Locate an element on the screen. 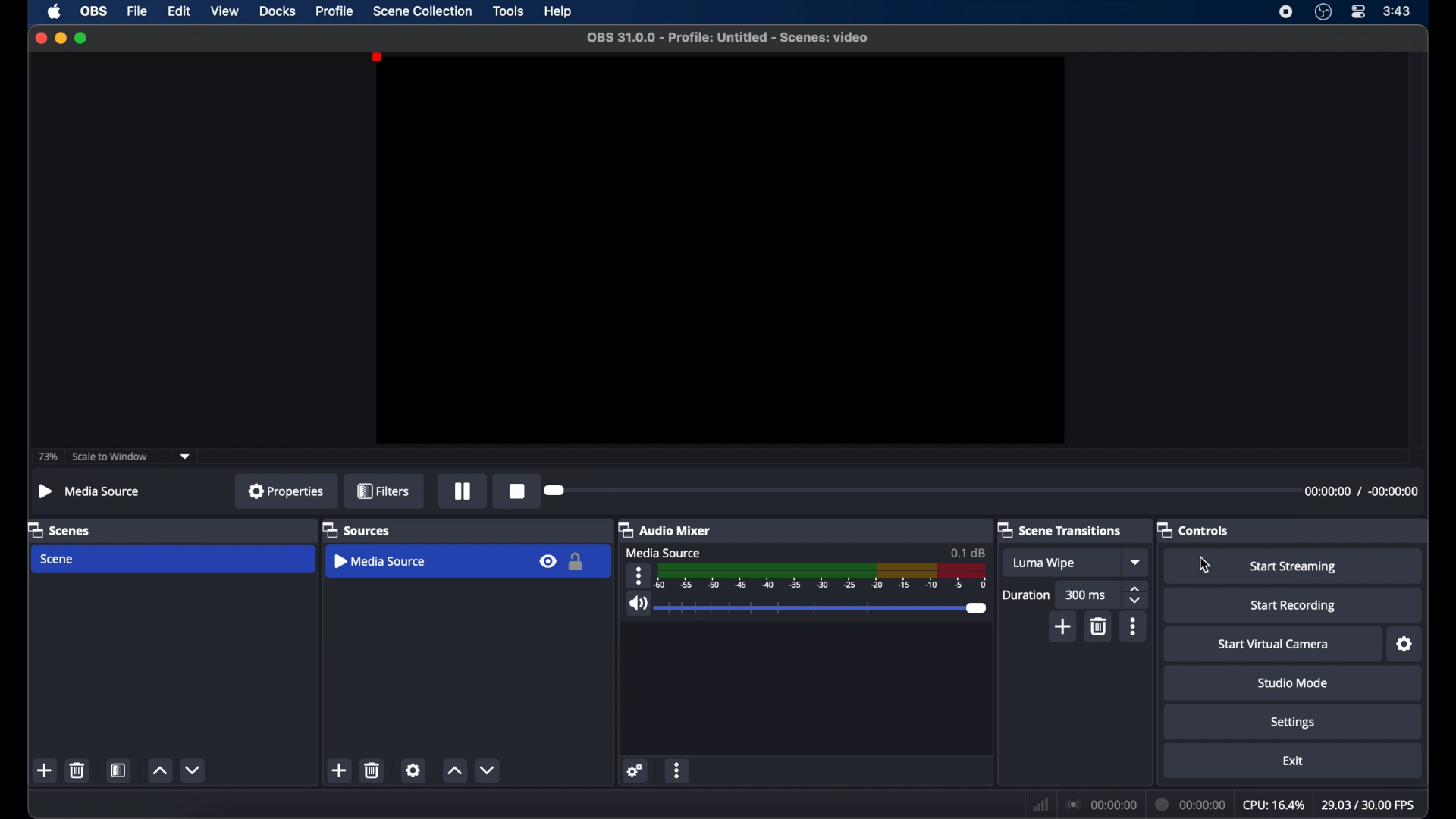 Image resolution: width=1456 pixels, height=819 pixels. preview is located at coordinates (720, 250).